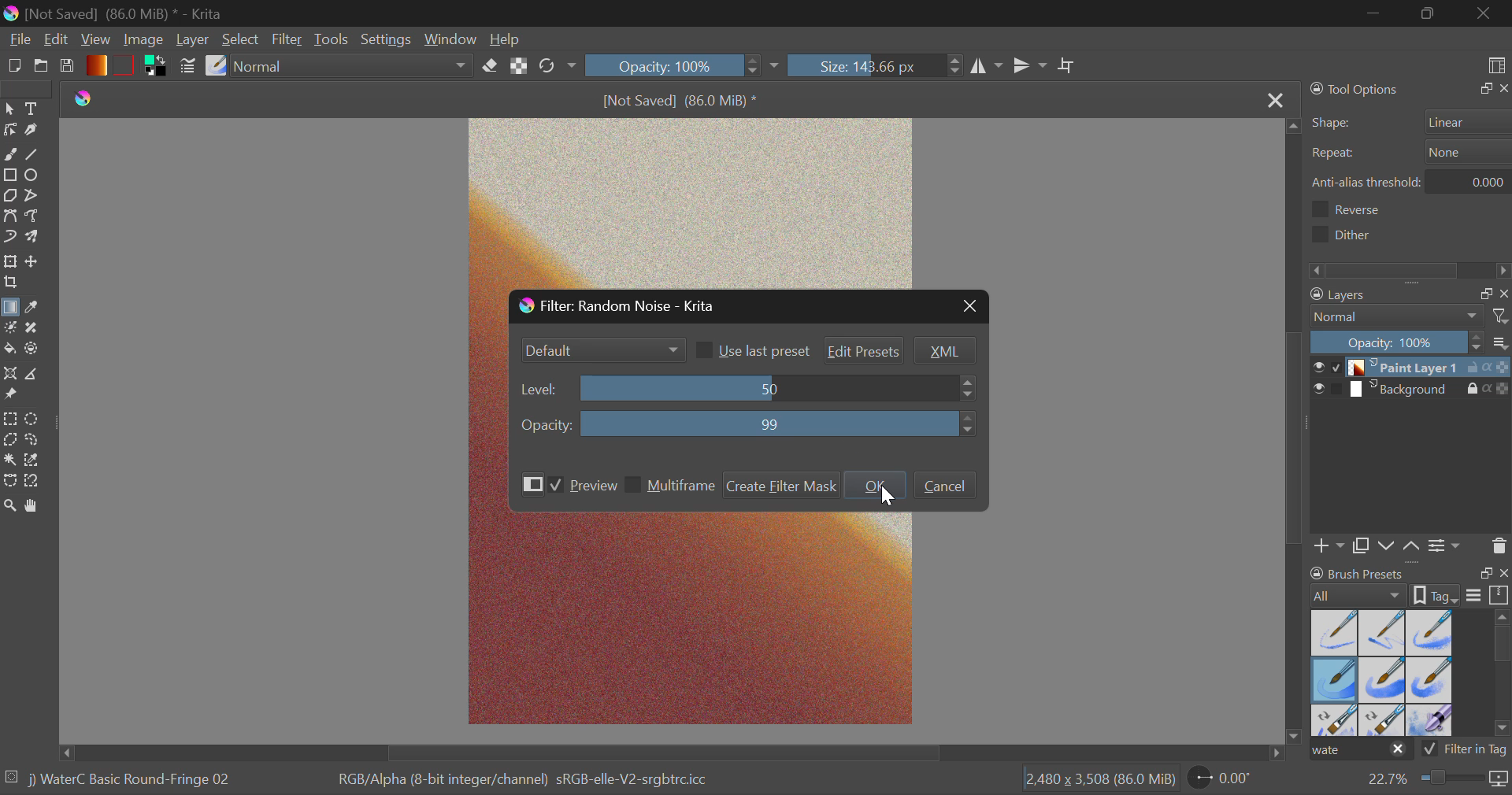 The image size is (1512, 795). Describe the element at coordinates (1273, 99) in the screenshot. I see `Close Tab` at that location.